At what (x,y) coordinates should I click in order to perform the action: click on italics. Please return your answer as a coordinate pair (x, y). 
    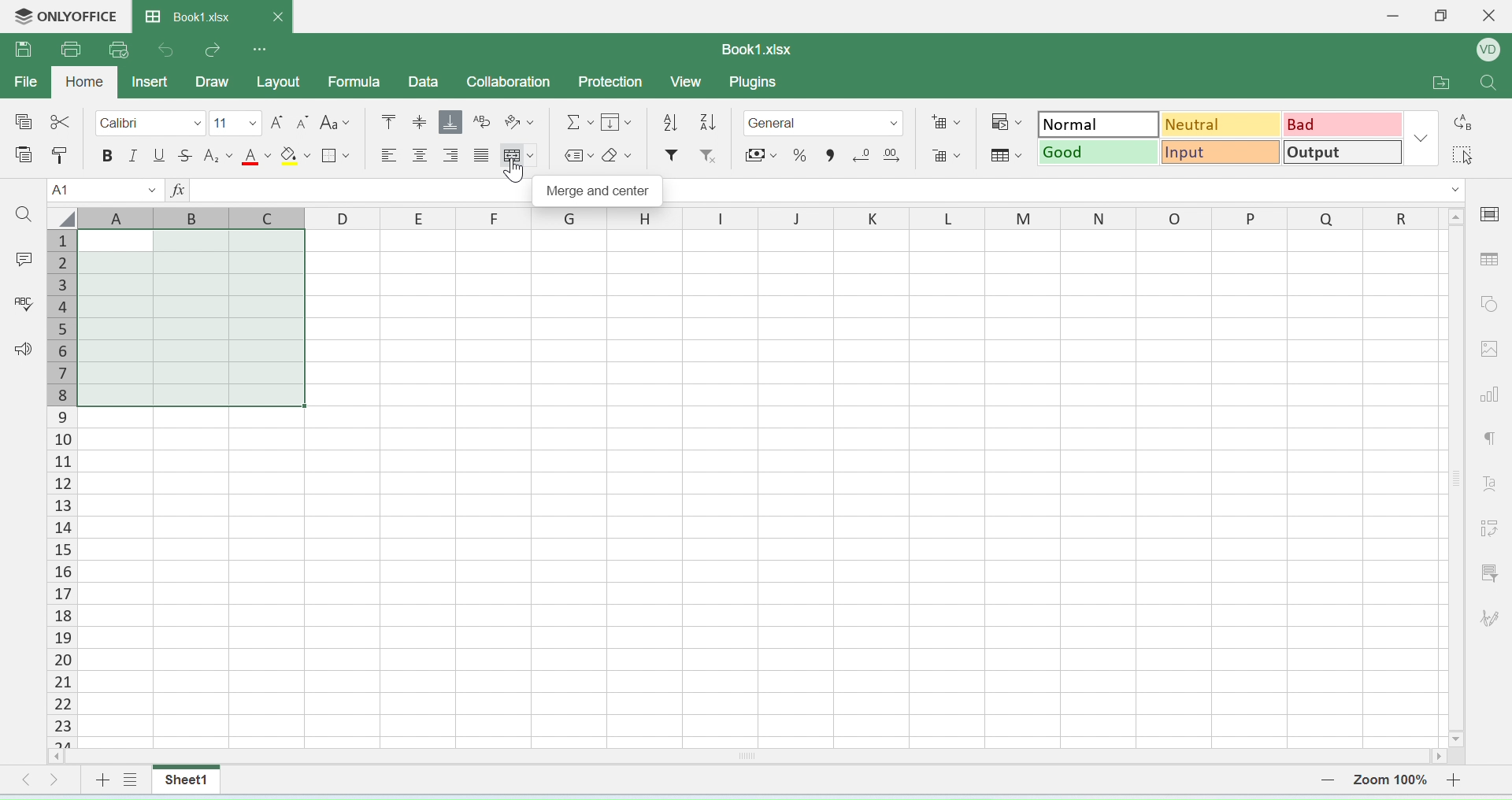
    Looking at the image, I should click on (134, 156).